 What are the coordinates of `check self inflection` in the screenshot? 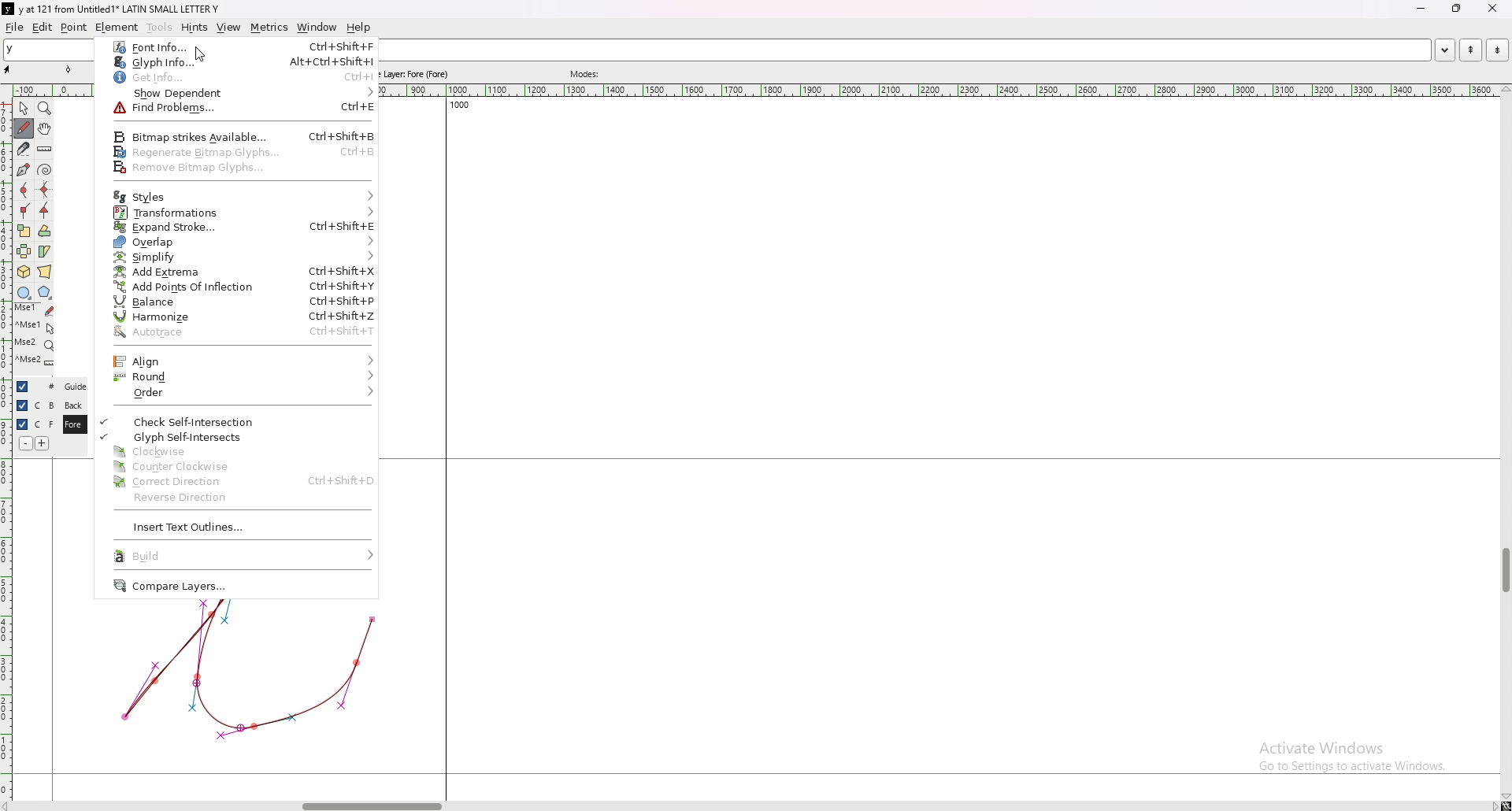 It's located at (237, 421).